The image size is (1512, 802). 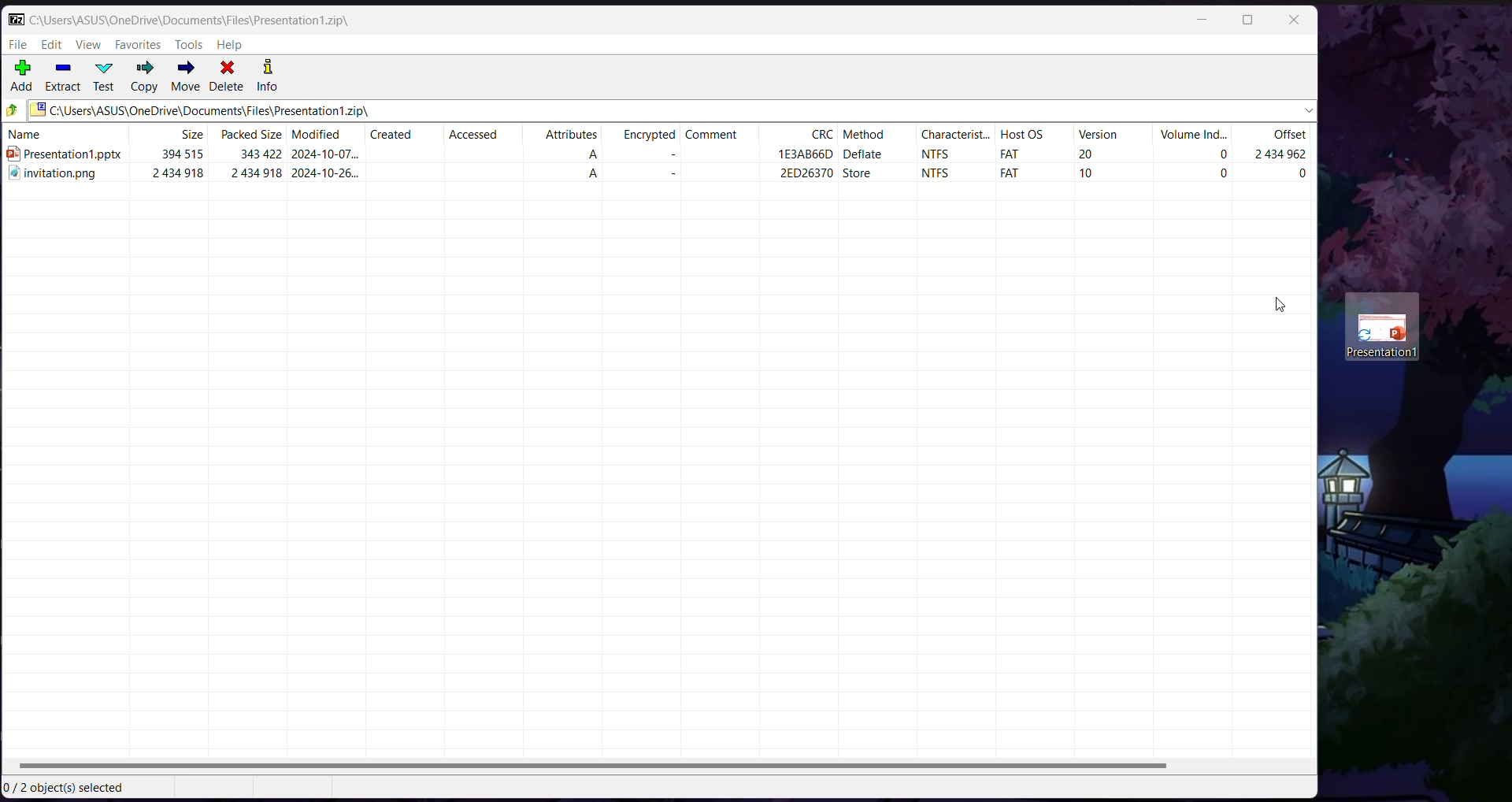 What do you see at coordinates (807, 153) in the screenshot?
I see `1E3AB66d` at bounding box center [807, 153].